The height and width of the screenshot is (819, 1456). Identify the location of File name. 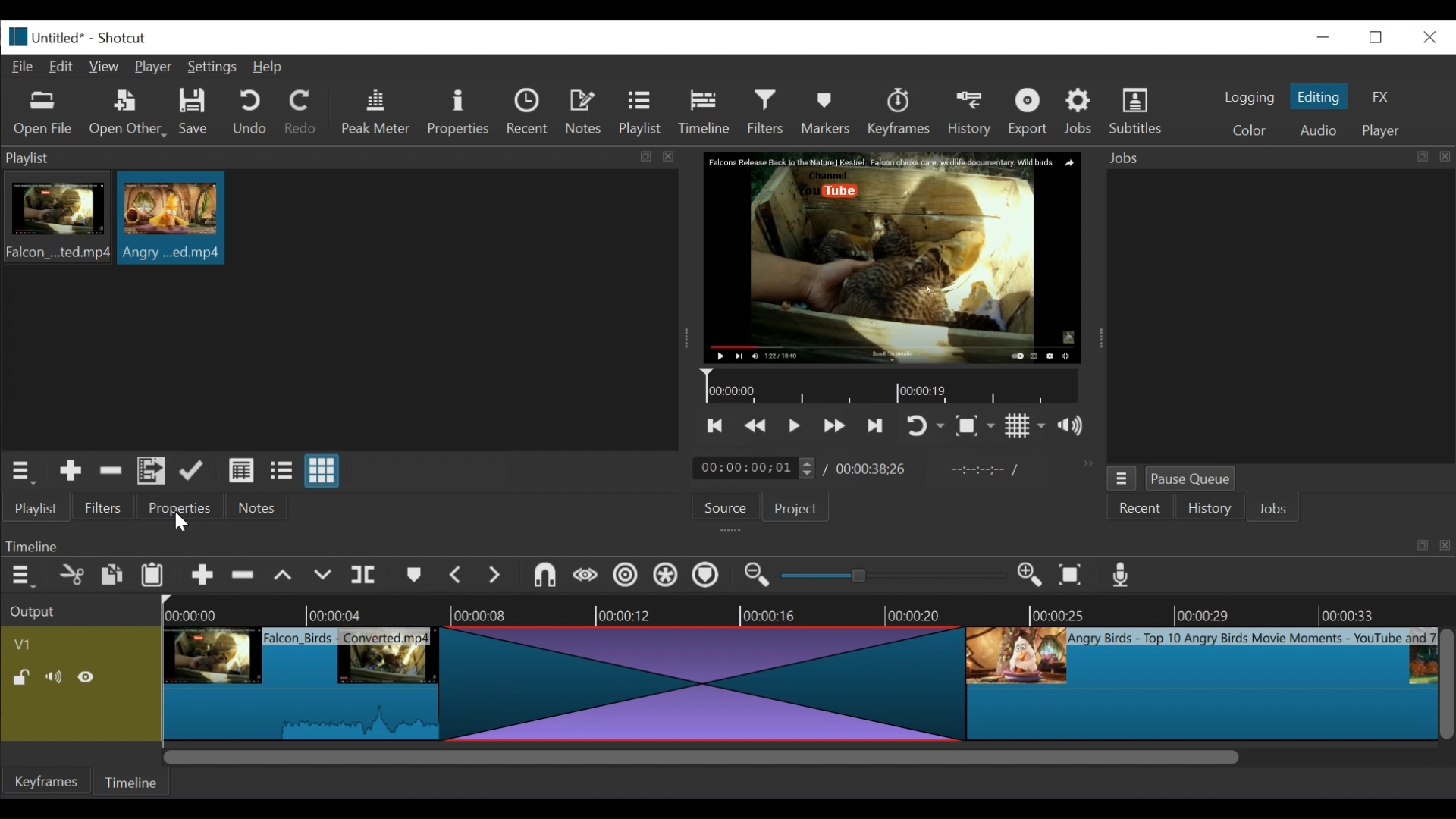
(61, 39).